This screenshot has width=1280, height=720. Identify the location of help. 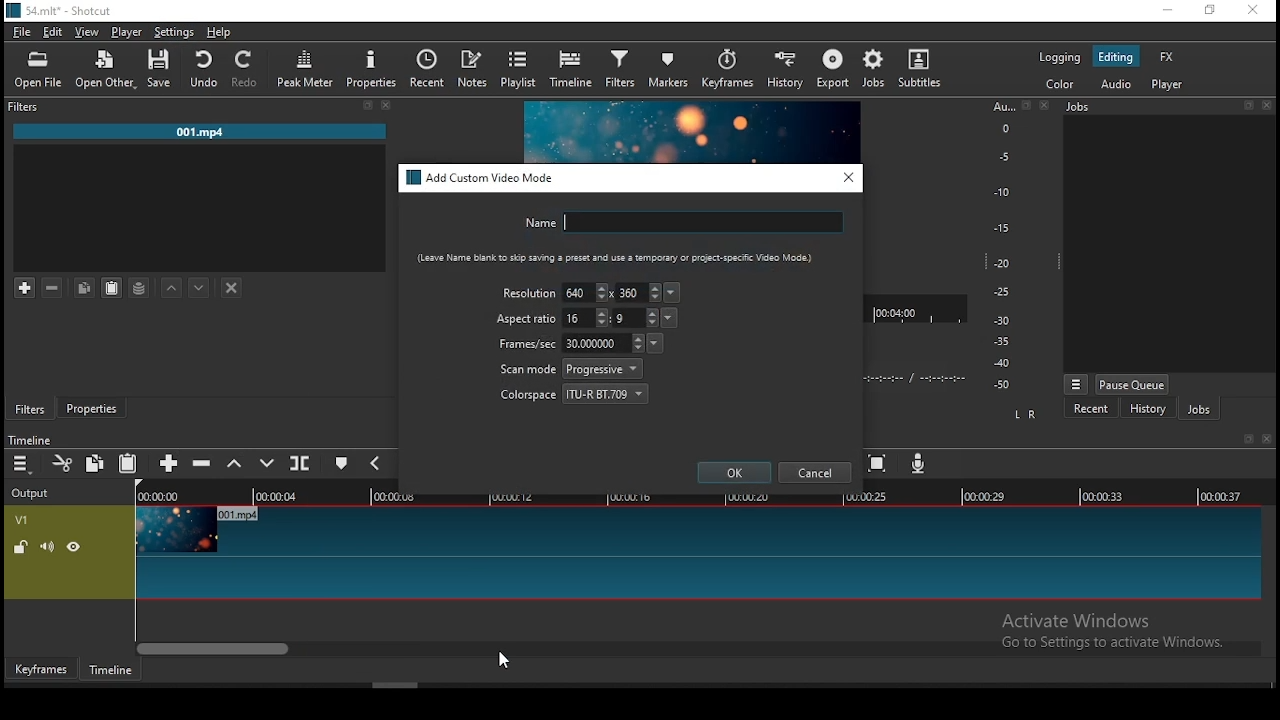
(219, 32).